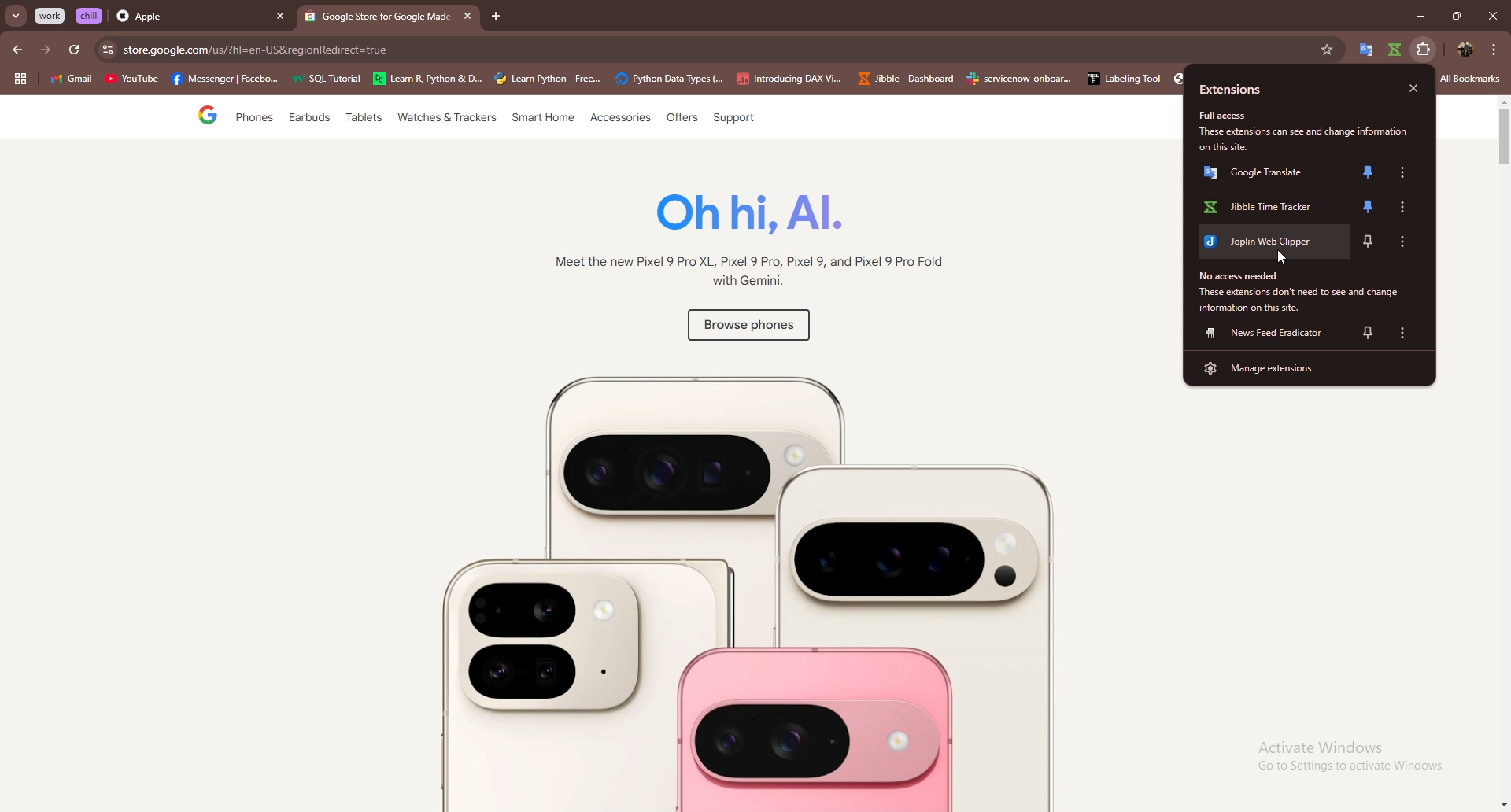 The height and width of the screenshot is (812, 1511). Describe the element at coordinates (1287, 259) in the screenshot. I see `cursor` at that location.